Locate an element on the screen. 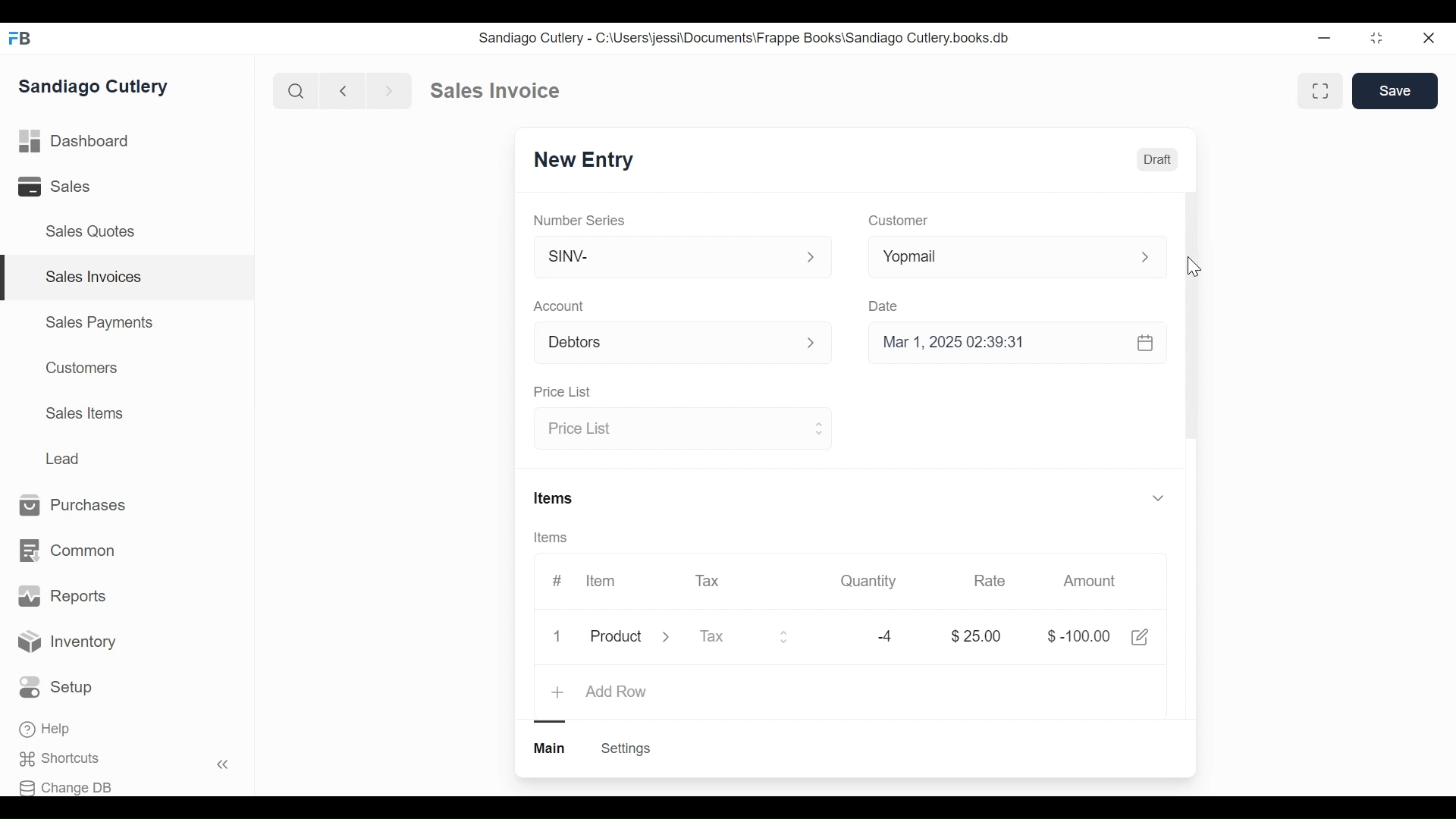 This screenshot has width=1456, height=819. -4 is located at coordinates (886, 637).